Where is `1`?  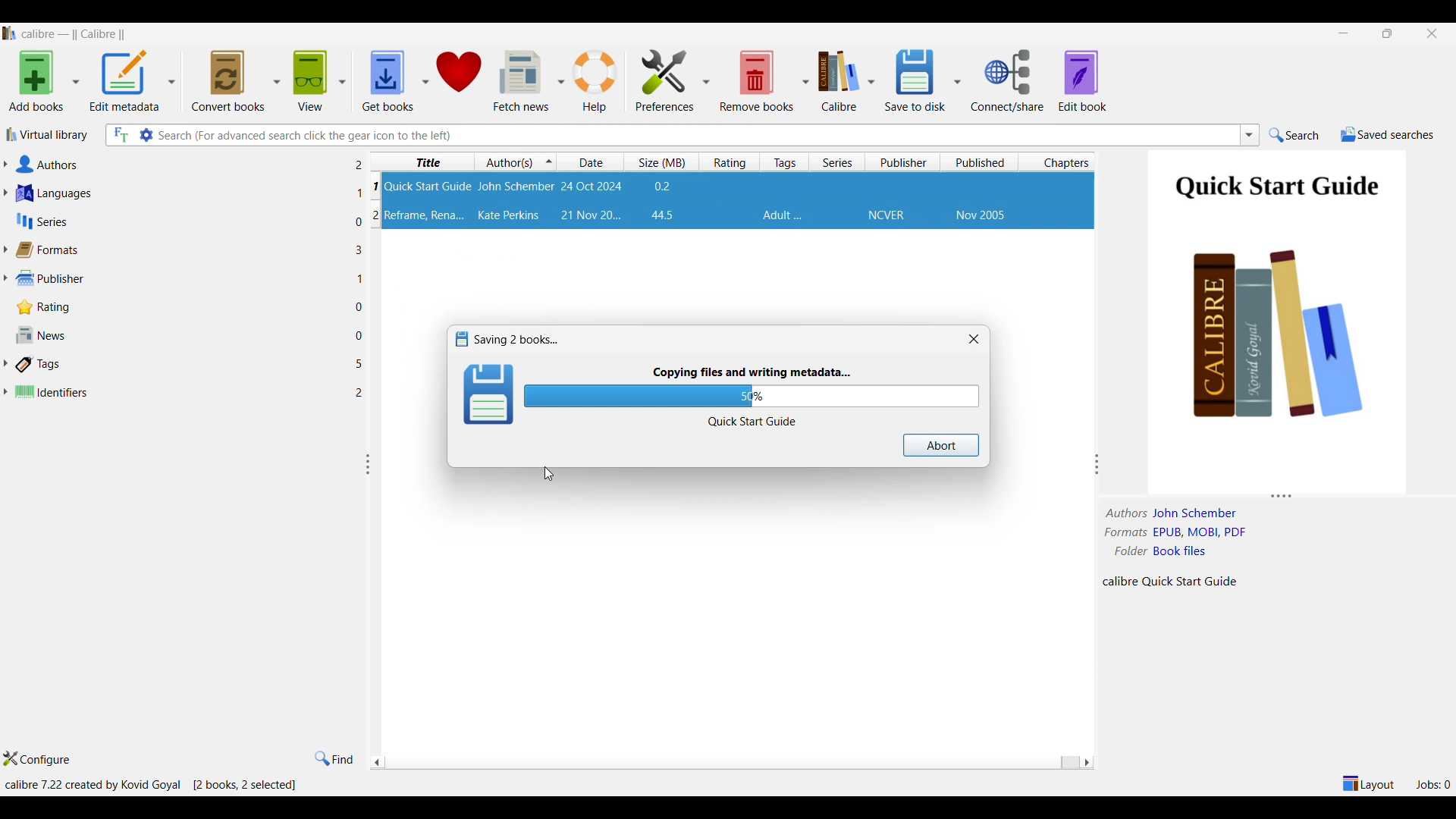 1 is located at coordinates (362, 278).